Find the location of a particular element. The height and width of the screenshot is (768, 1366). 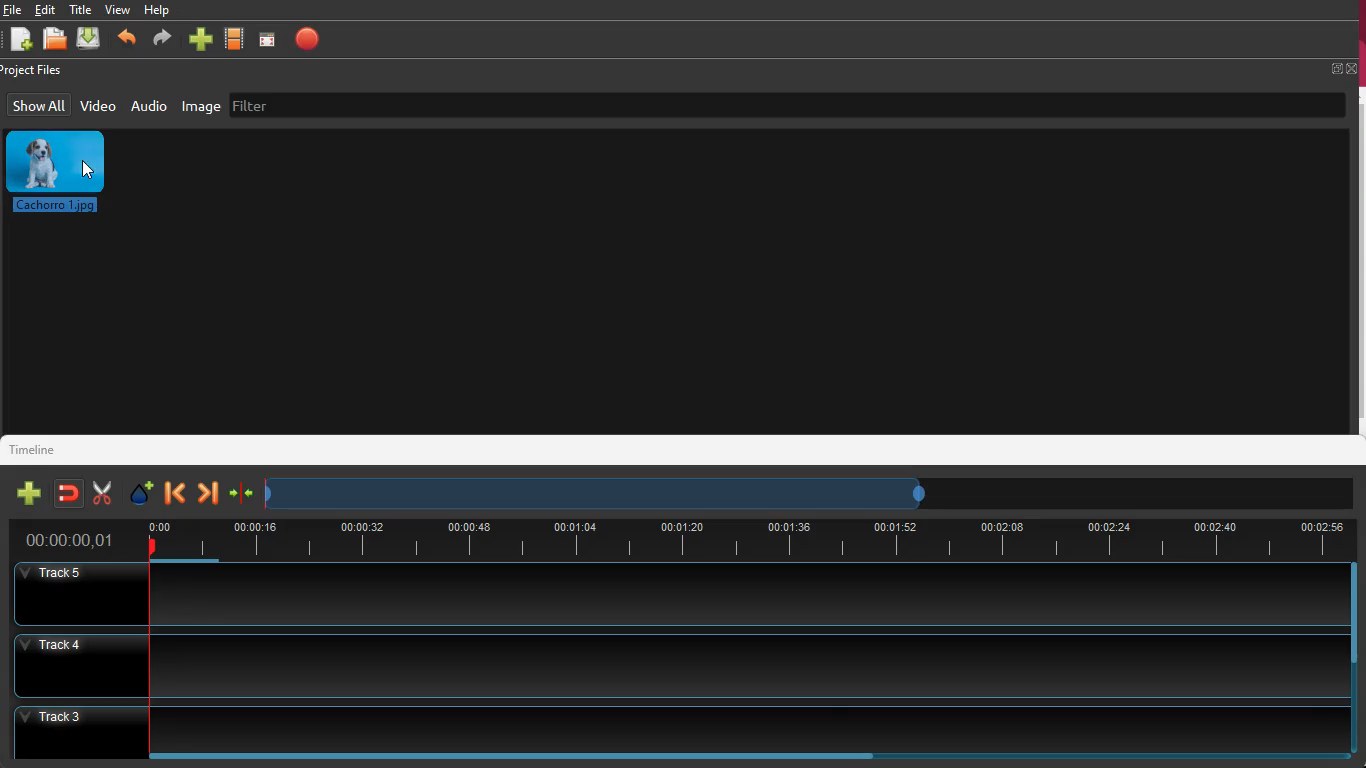

image is located at coordinates (201, 107).